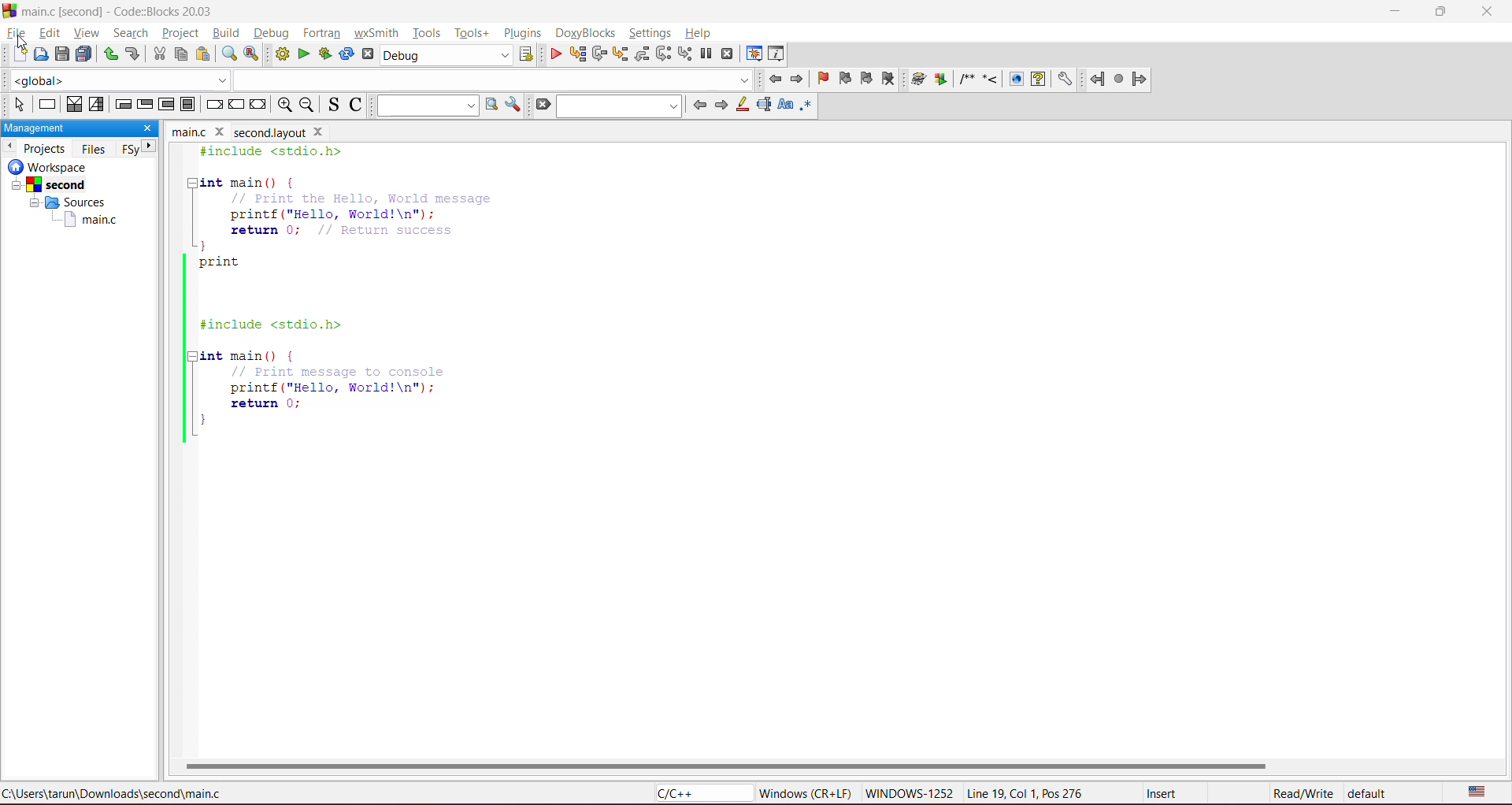  I want to click on build, so click(281, 54).